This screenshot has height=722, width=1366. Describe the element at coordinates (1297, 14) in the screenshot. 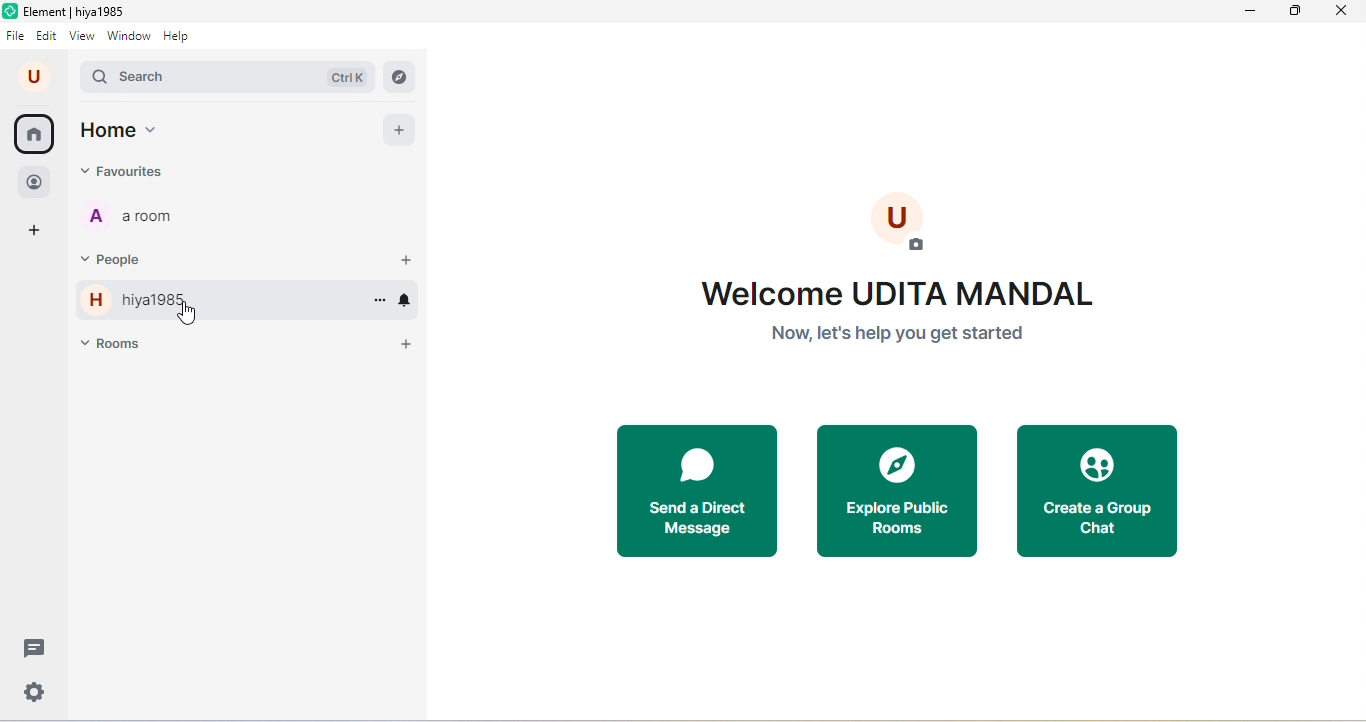

I see `maximize` at that location.